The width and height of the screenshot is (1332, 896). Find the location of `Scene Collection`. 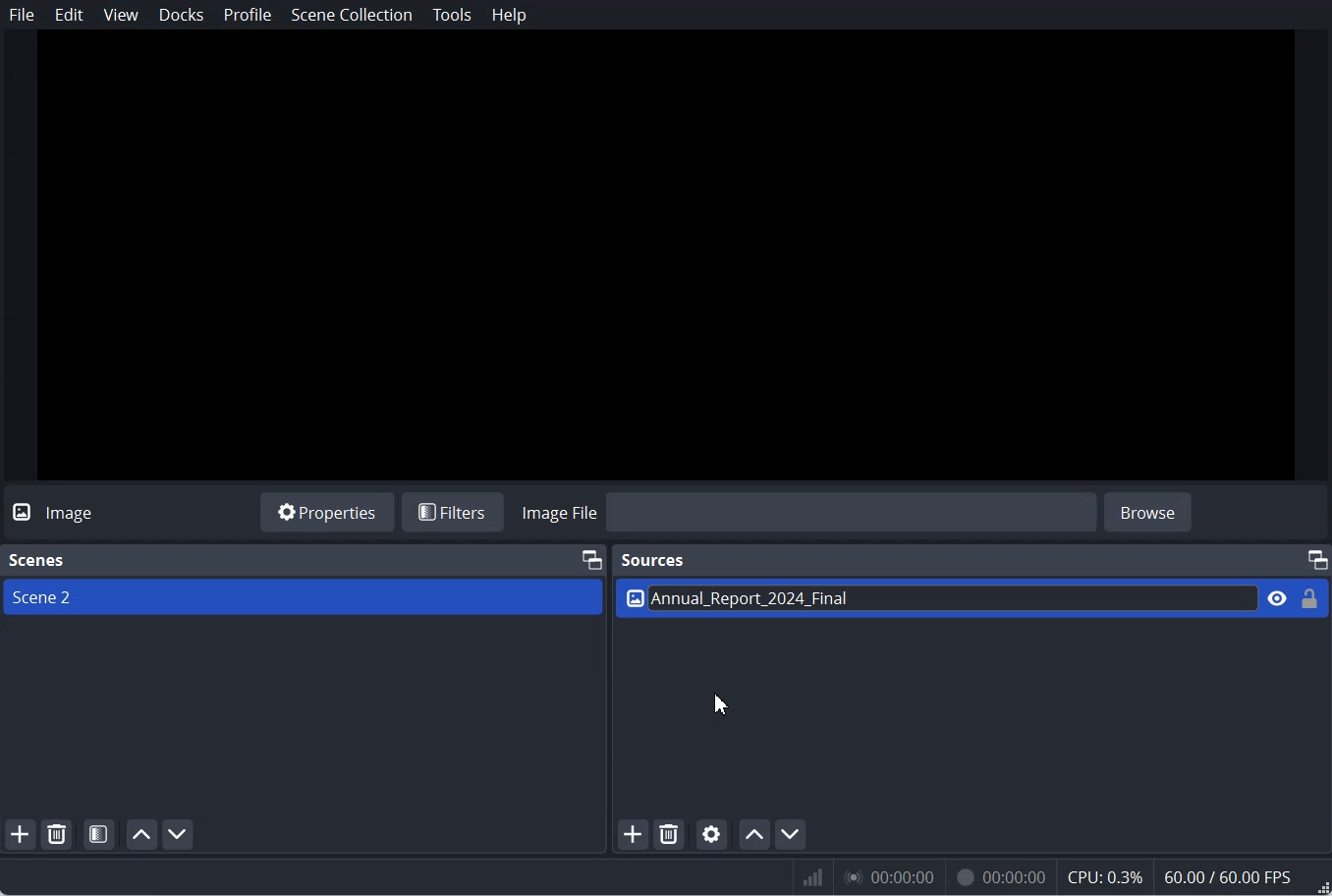

Scene Collection is located at coordinates (352, 16).